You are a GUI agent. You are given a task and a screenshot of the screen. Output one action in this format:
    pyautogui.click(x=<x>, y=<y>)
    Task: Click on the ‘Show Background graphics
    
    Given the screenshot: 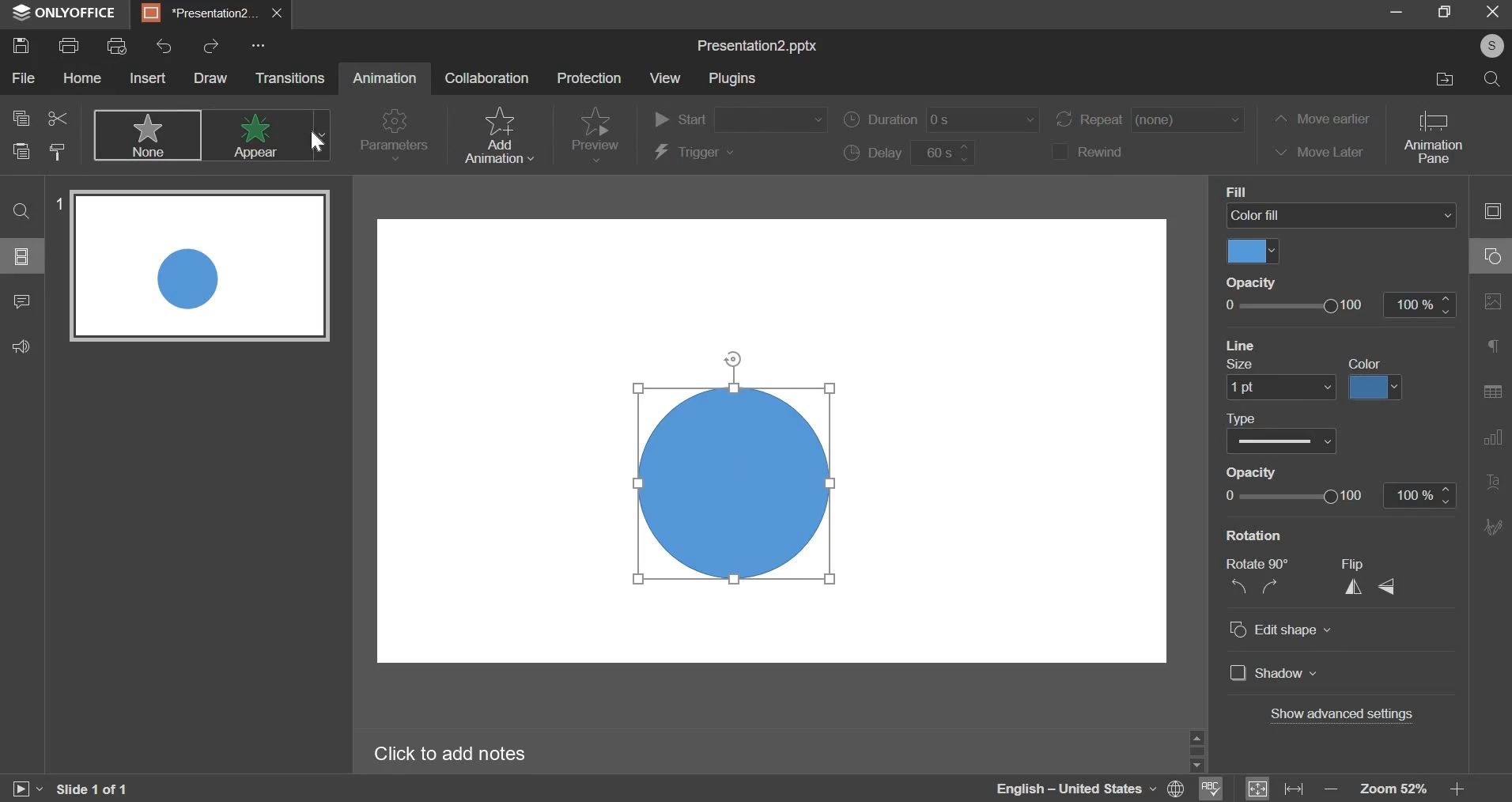 What is the action you would take?
    pyautogui.click(x=1303, y=533)
    